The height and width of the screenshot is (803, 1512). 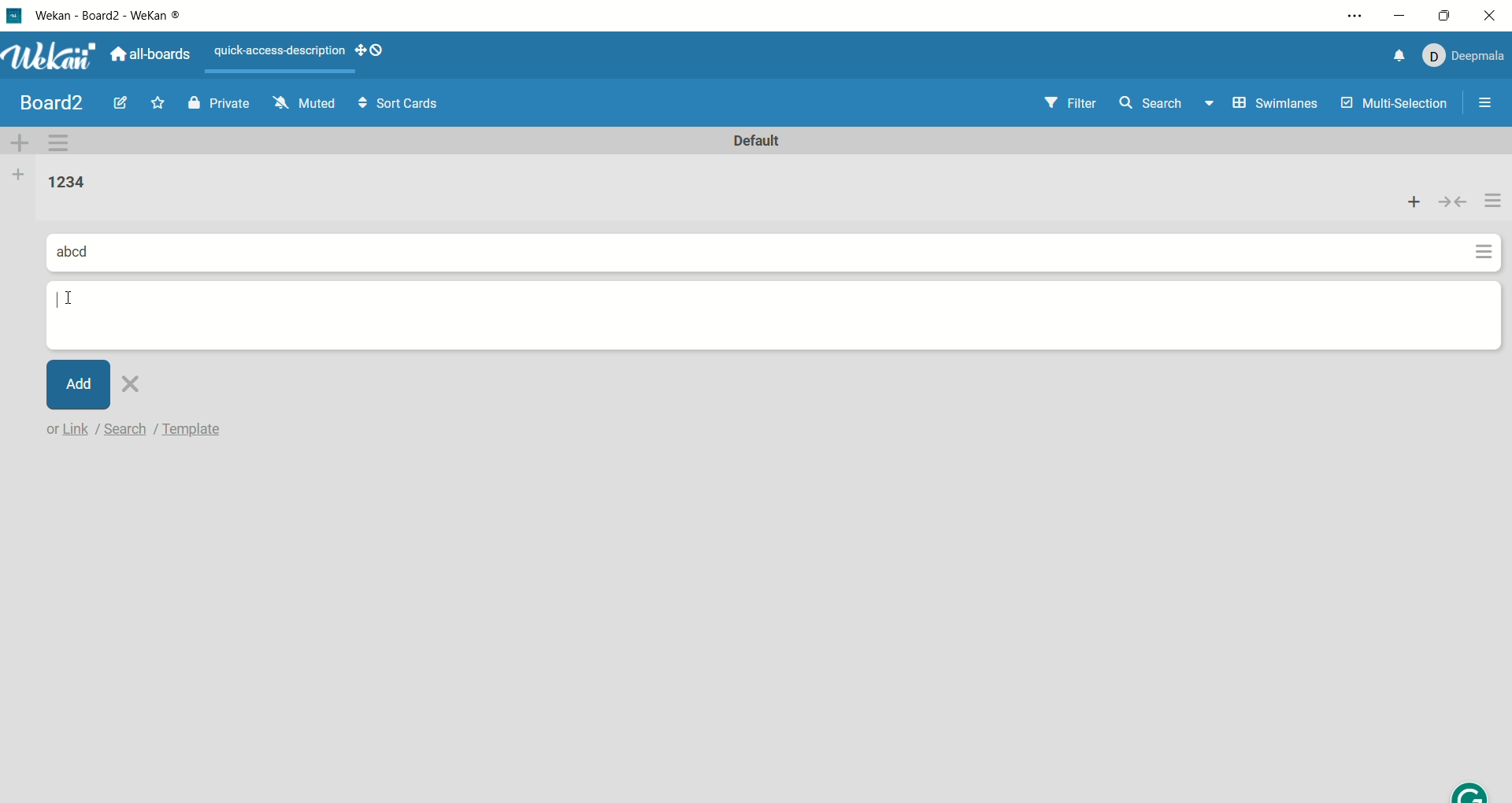 I want to click on swimlanes, so click(x=1275, y=99).